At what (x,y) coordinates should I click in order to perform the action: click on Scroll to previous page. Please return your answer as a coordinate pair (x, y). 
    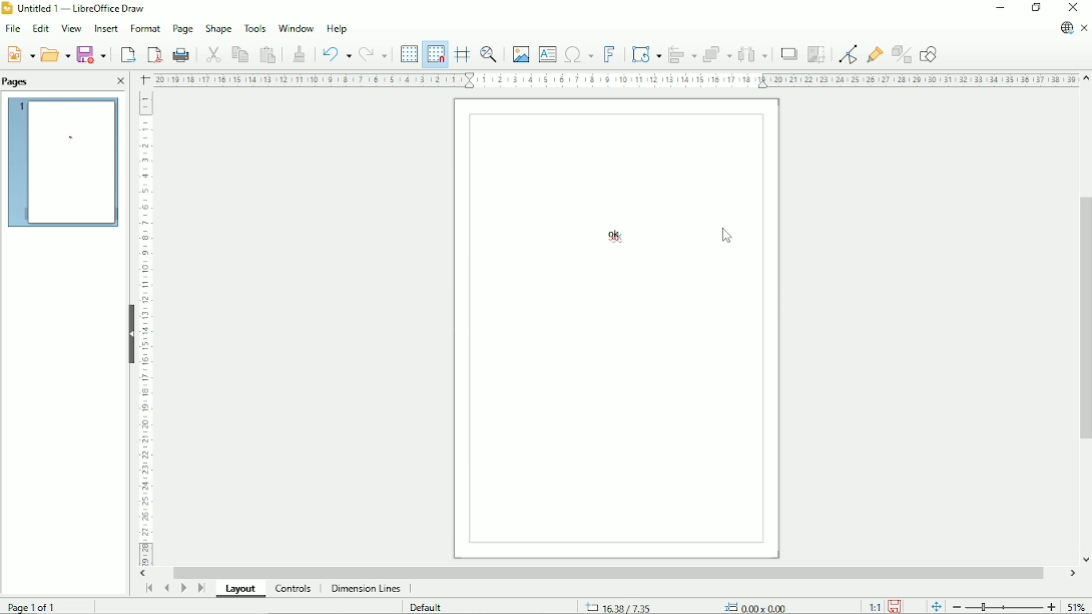
    Looking at the image, I should click on (166, 588).